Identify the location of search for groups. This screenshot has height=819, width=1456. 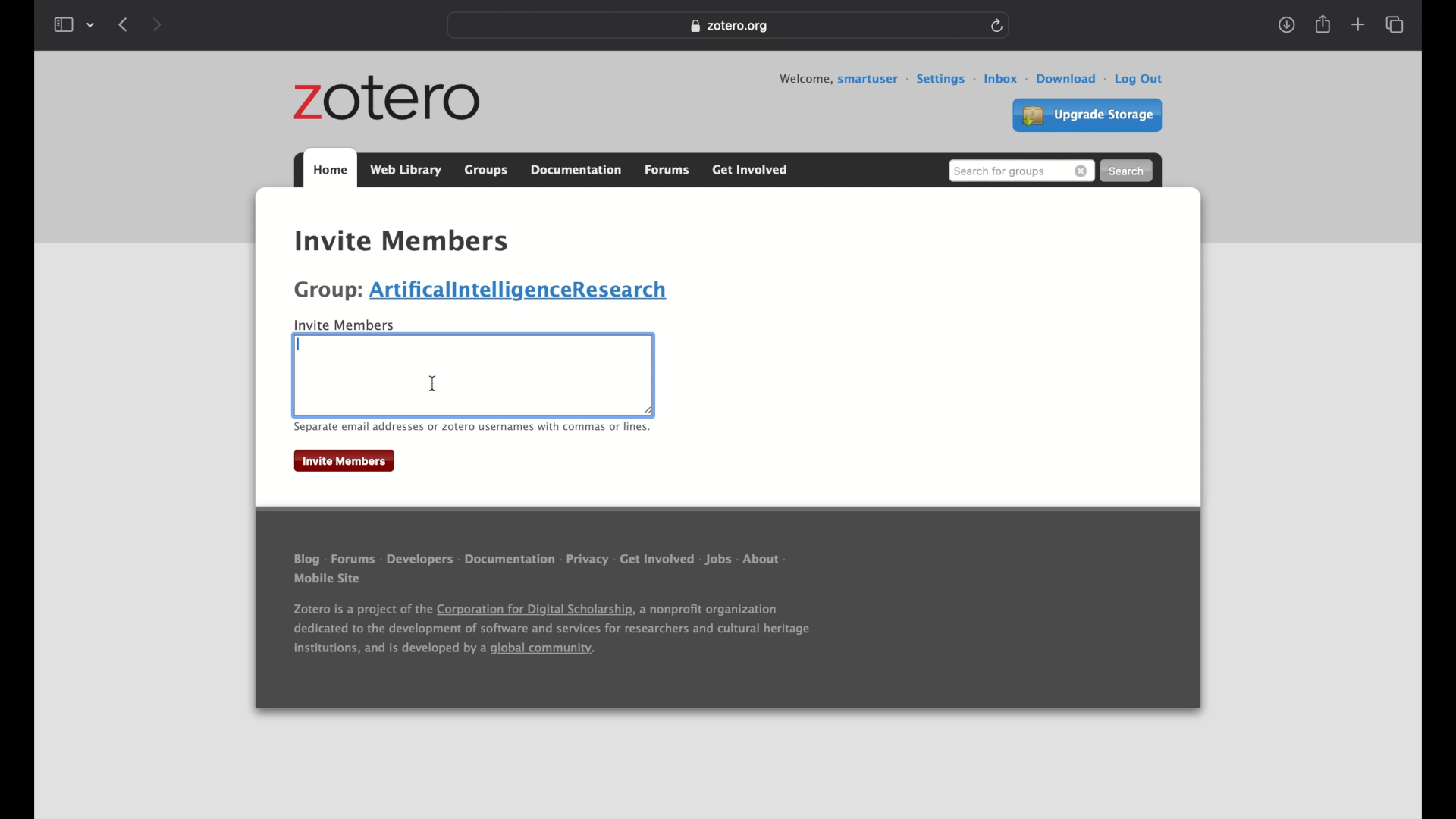
(1021, 171).